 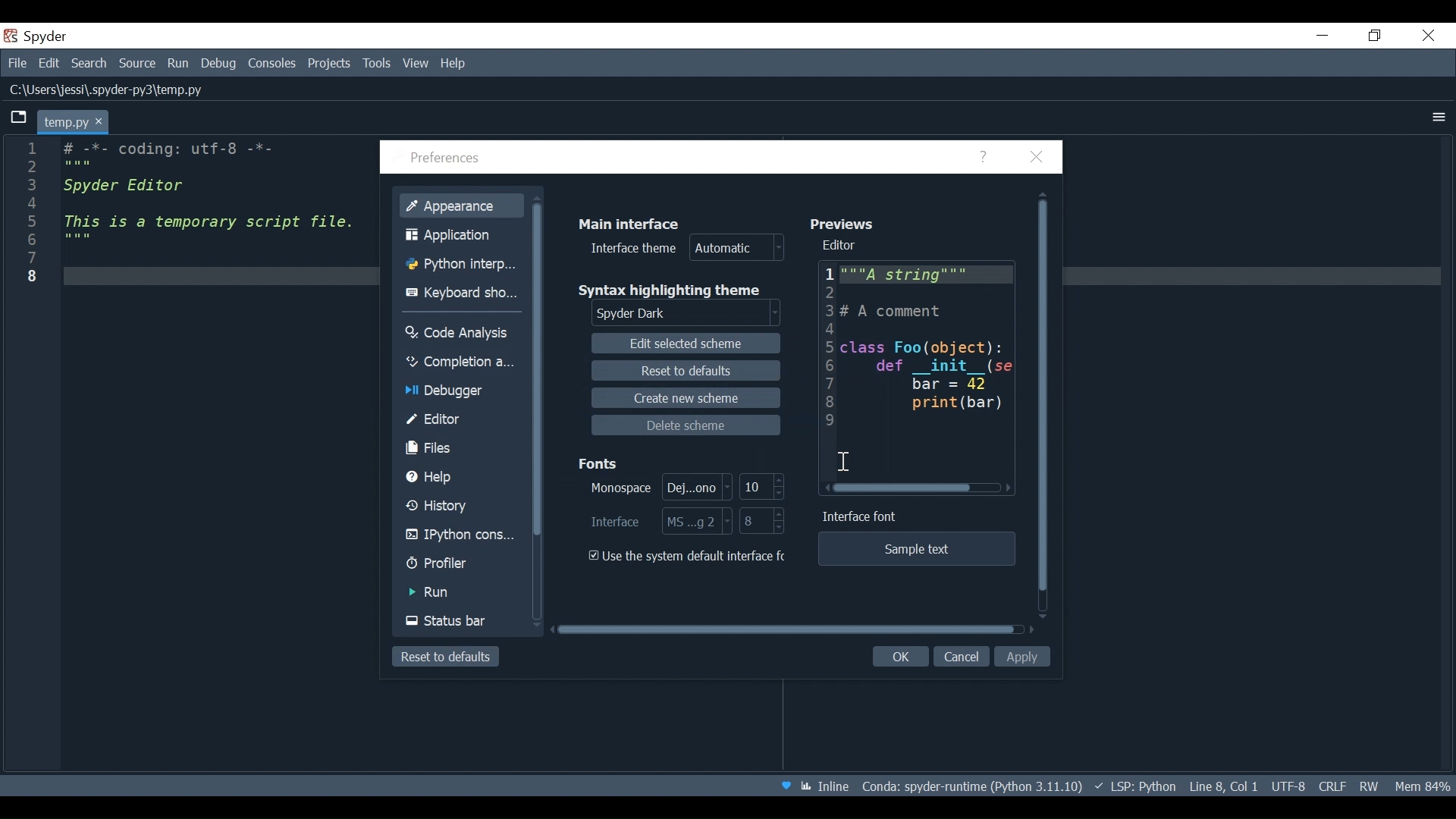 What do you see at coordinates (17, 64) in the screenshot?
I see `File` at bounding box center [17, 64].